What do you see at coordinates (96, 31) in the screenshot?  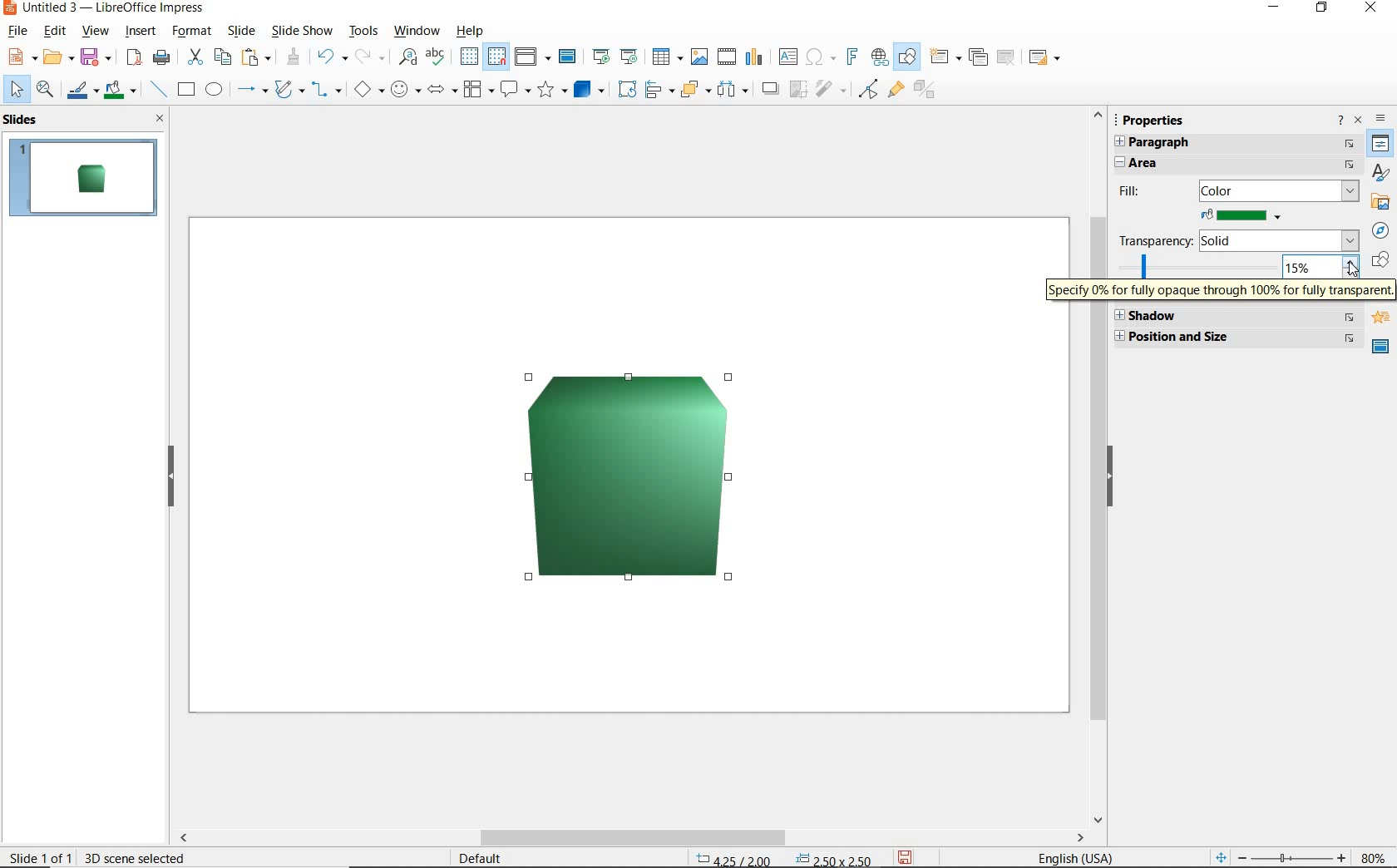 I see `view` at bounding box center [96, 31].